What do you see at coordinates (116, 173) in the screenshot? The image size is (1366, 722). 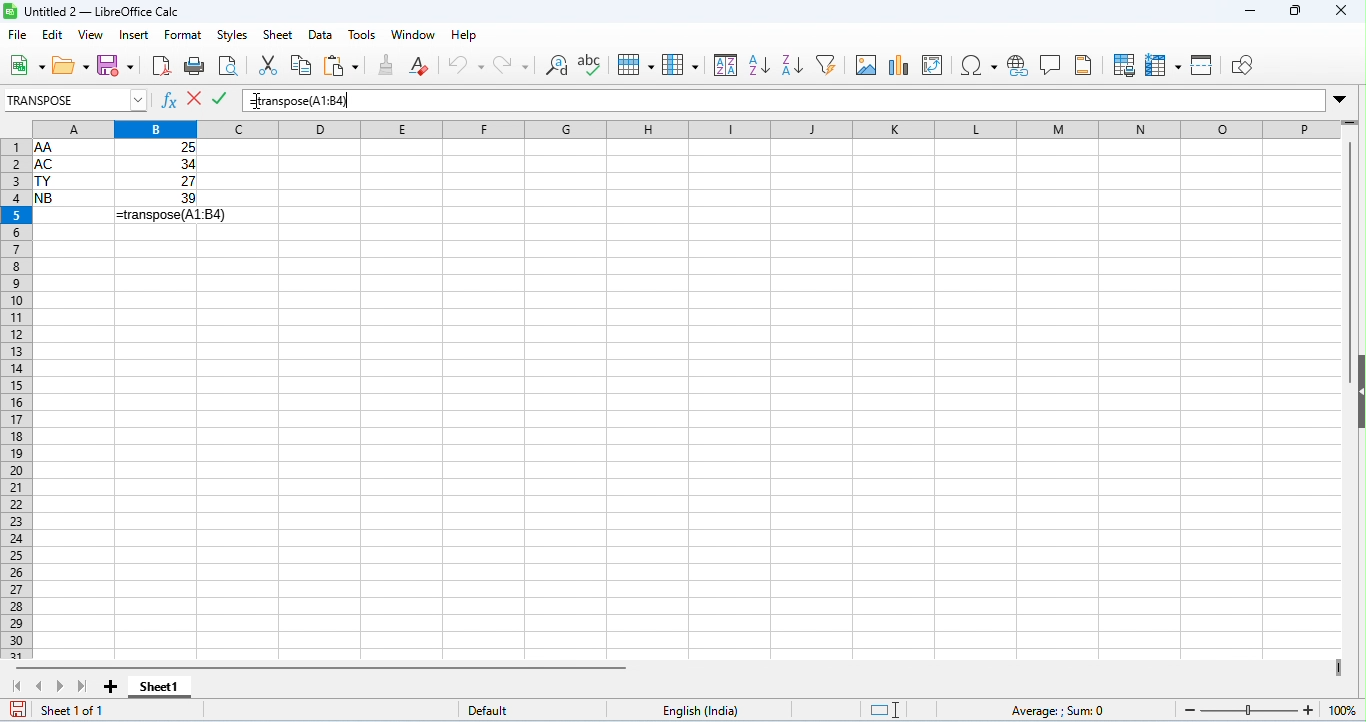 I see `range of cells` at bounding box center [116, 173].